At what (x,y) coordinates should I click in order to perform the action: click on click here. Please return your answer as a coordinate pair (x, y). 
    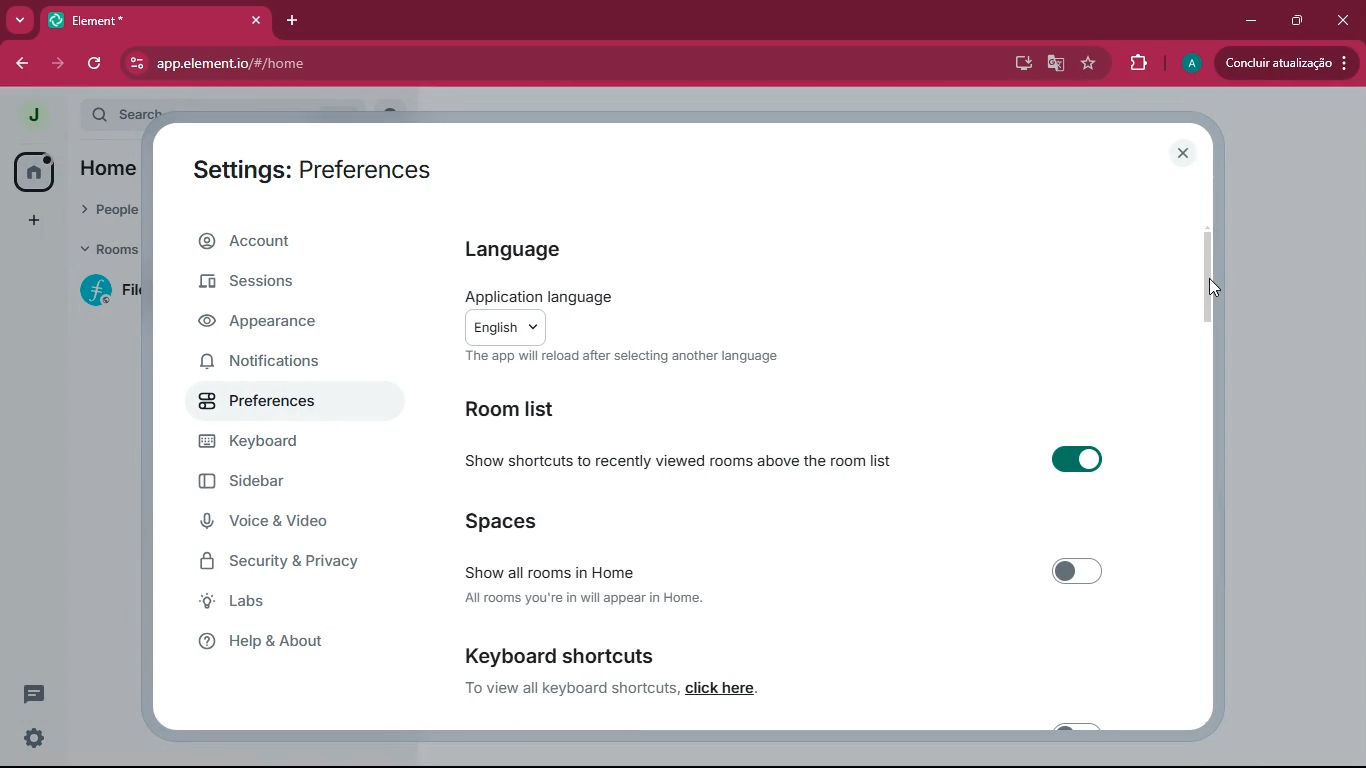
    Looking at the image, I should click on (723, 687).